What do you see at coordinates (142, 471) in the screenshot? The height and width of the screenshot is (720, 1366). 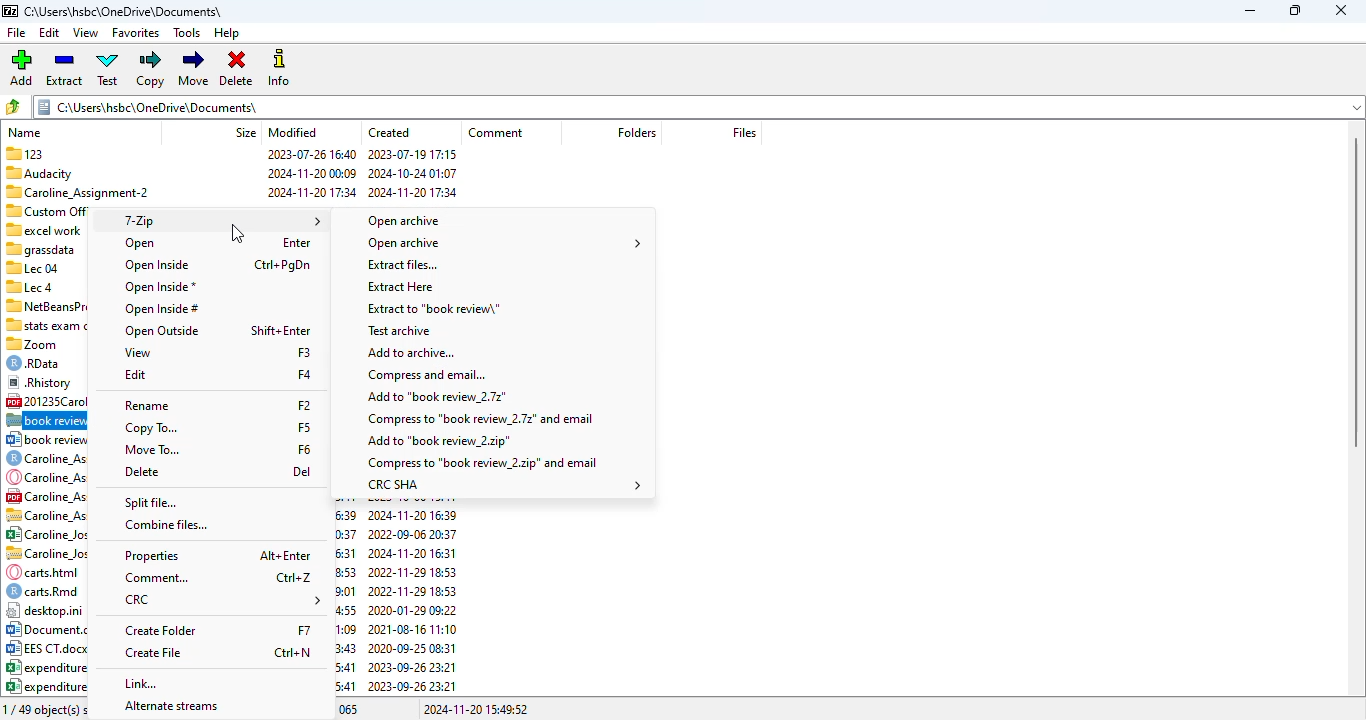 I see `delete` at bounding box center [142, 471].